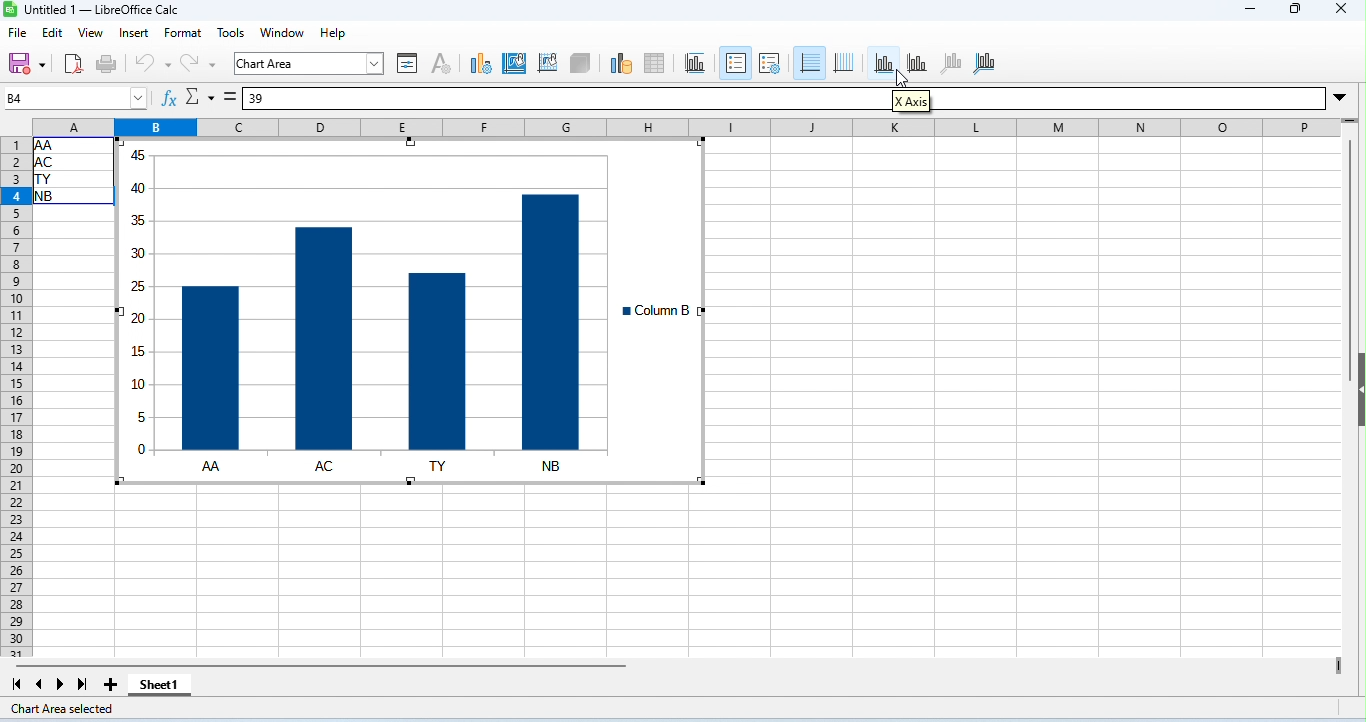 The height and width of the screenshot is (722, 1366). What do you see at coordinates (914, 102) in the screenshot?
I see `x axis` at bounding box center [914, 102].